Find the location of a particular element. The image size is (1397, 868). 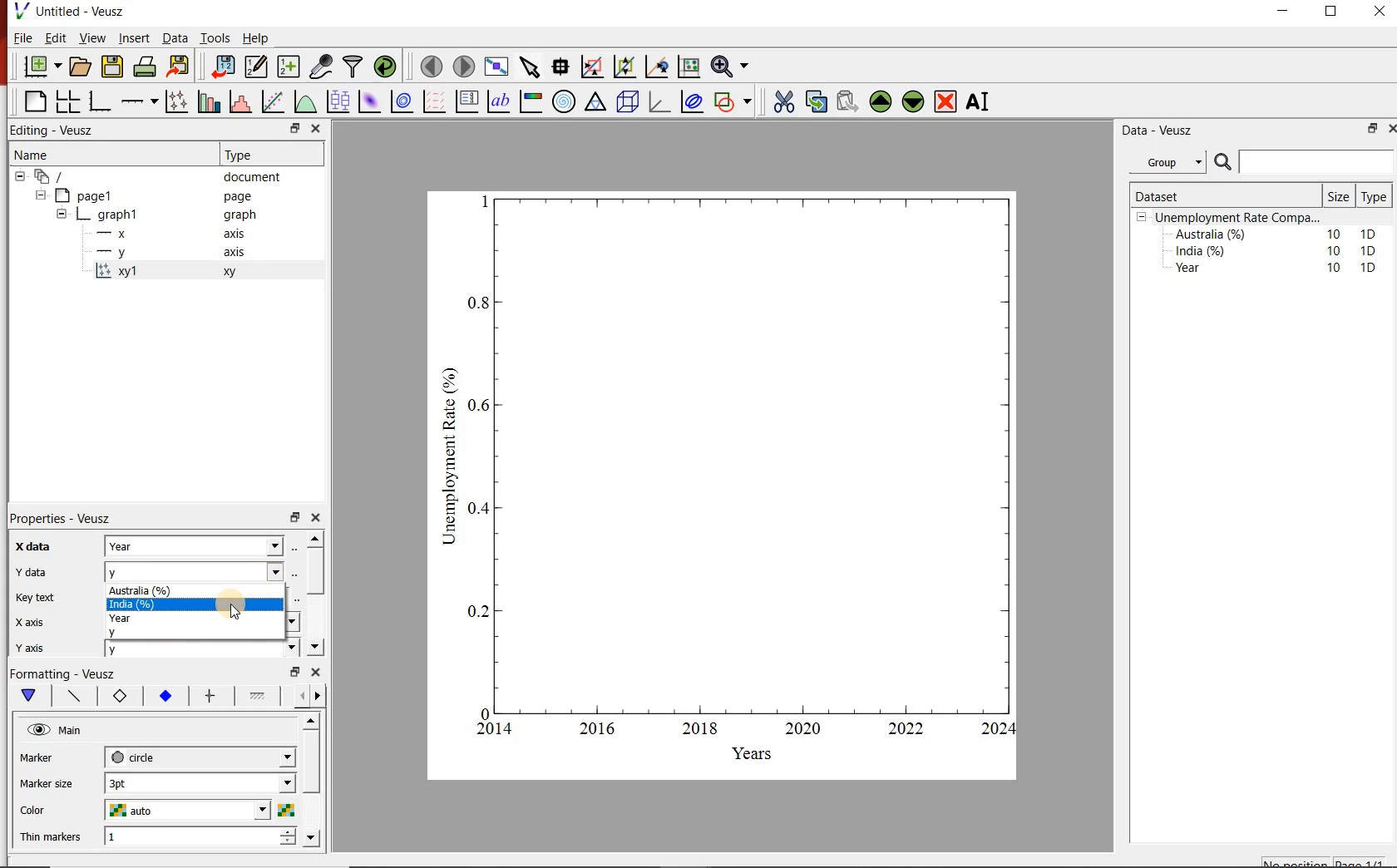

key text is located at coordinates (34, 598).